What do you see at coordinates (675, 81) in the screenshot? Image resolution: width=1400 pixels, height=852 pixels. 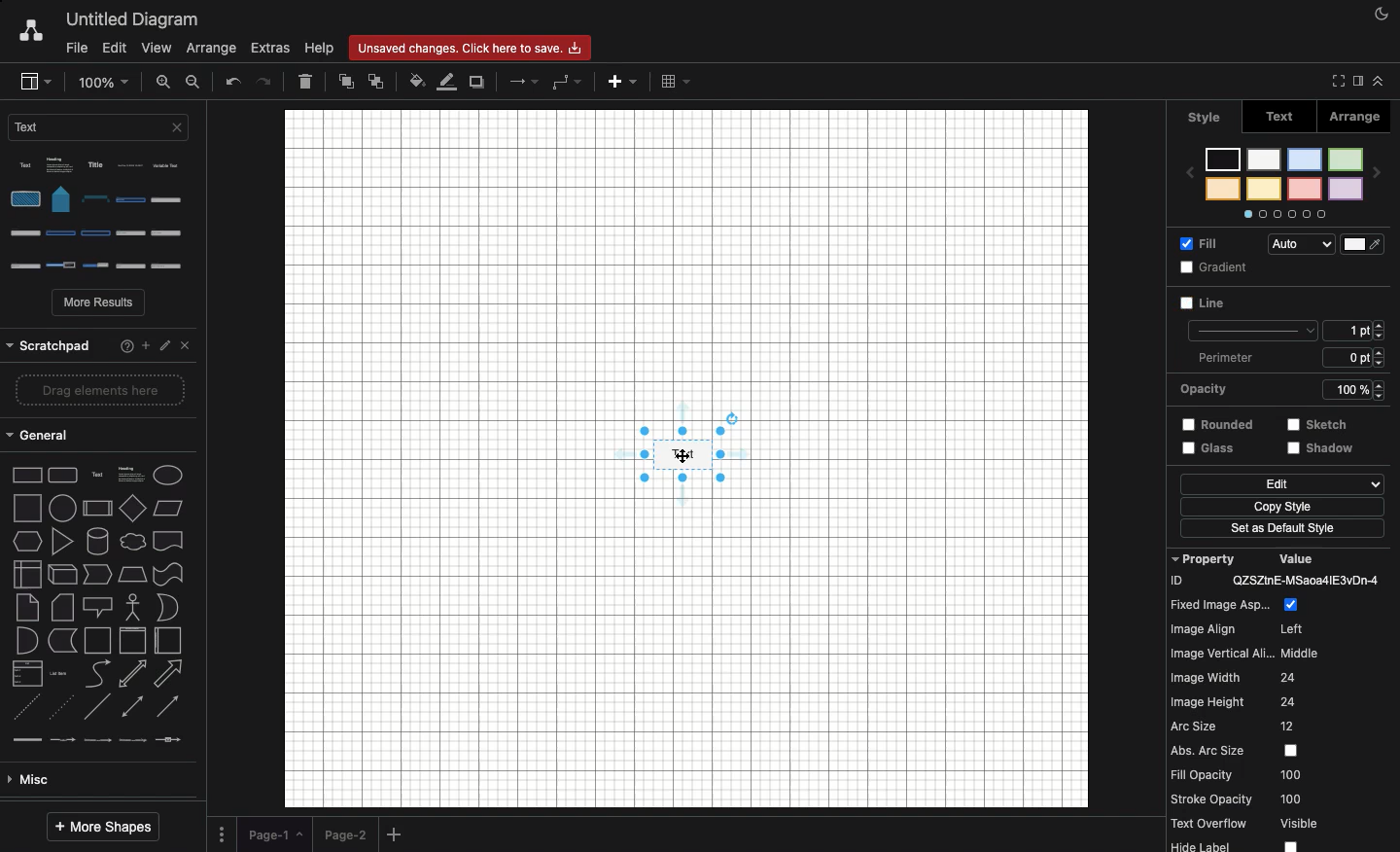 I see `Table` at bounding box center [675, 81].